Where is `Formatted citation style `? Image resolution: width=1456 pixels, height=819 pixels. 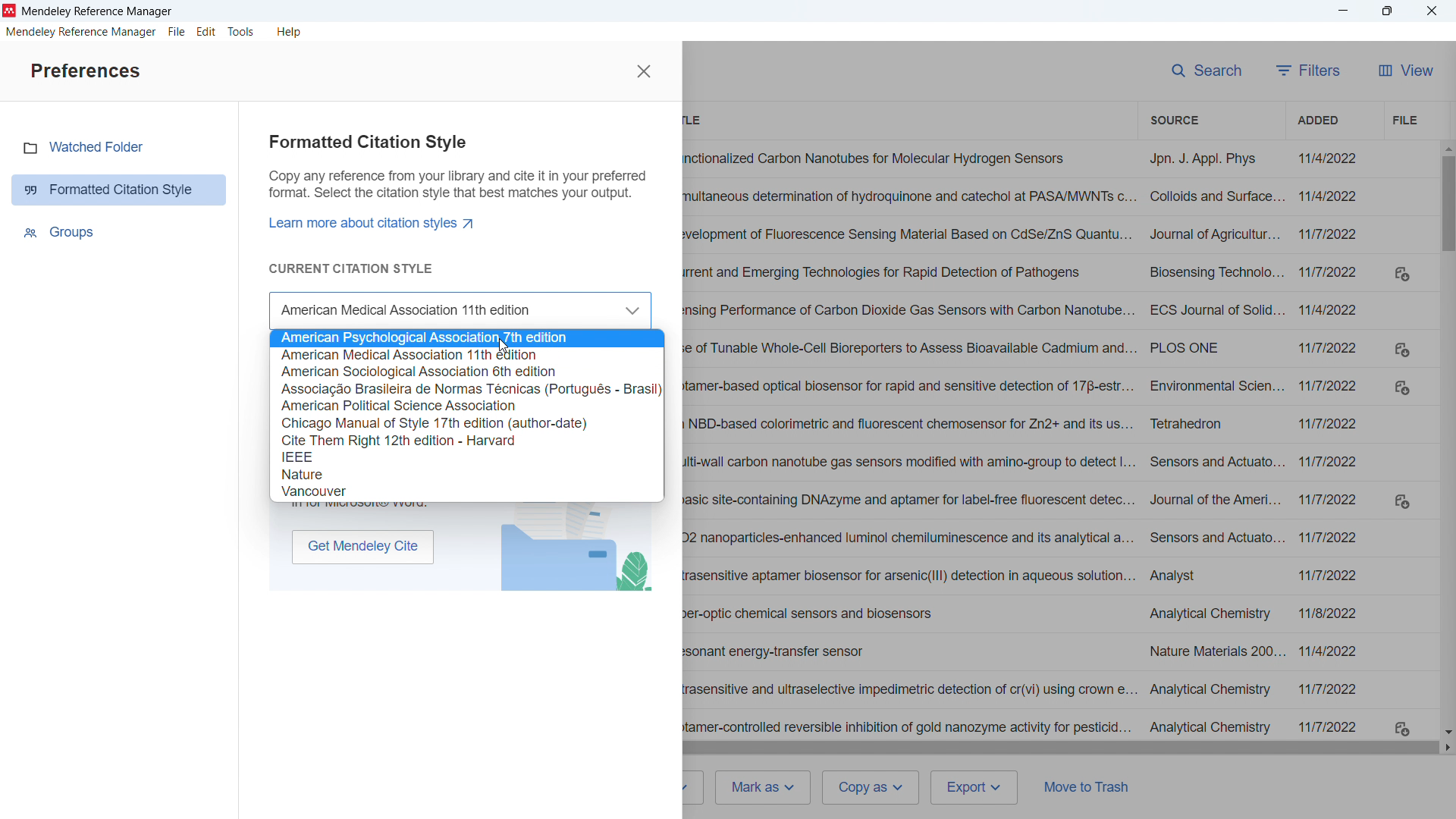
Formatted citation style  is located at coordinates (121, 190).